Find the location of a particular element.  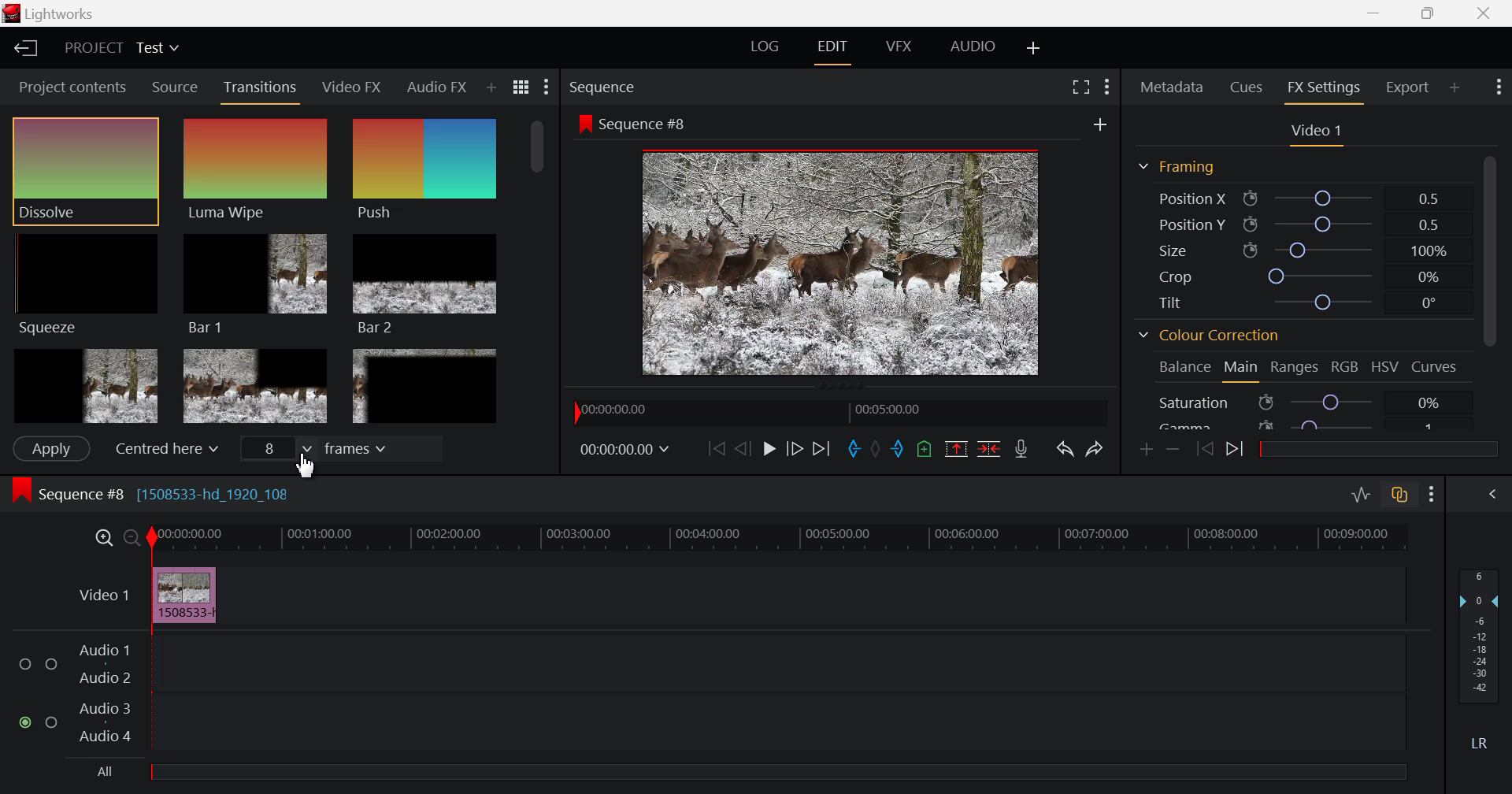

AUDIO Layout is located at coordinates (970, 46).